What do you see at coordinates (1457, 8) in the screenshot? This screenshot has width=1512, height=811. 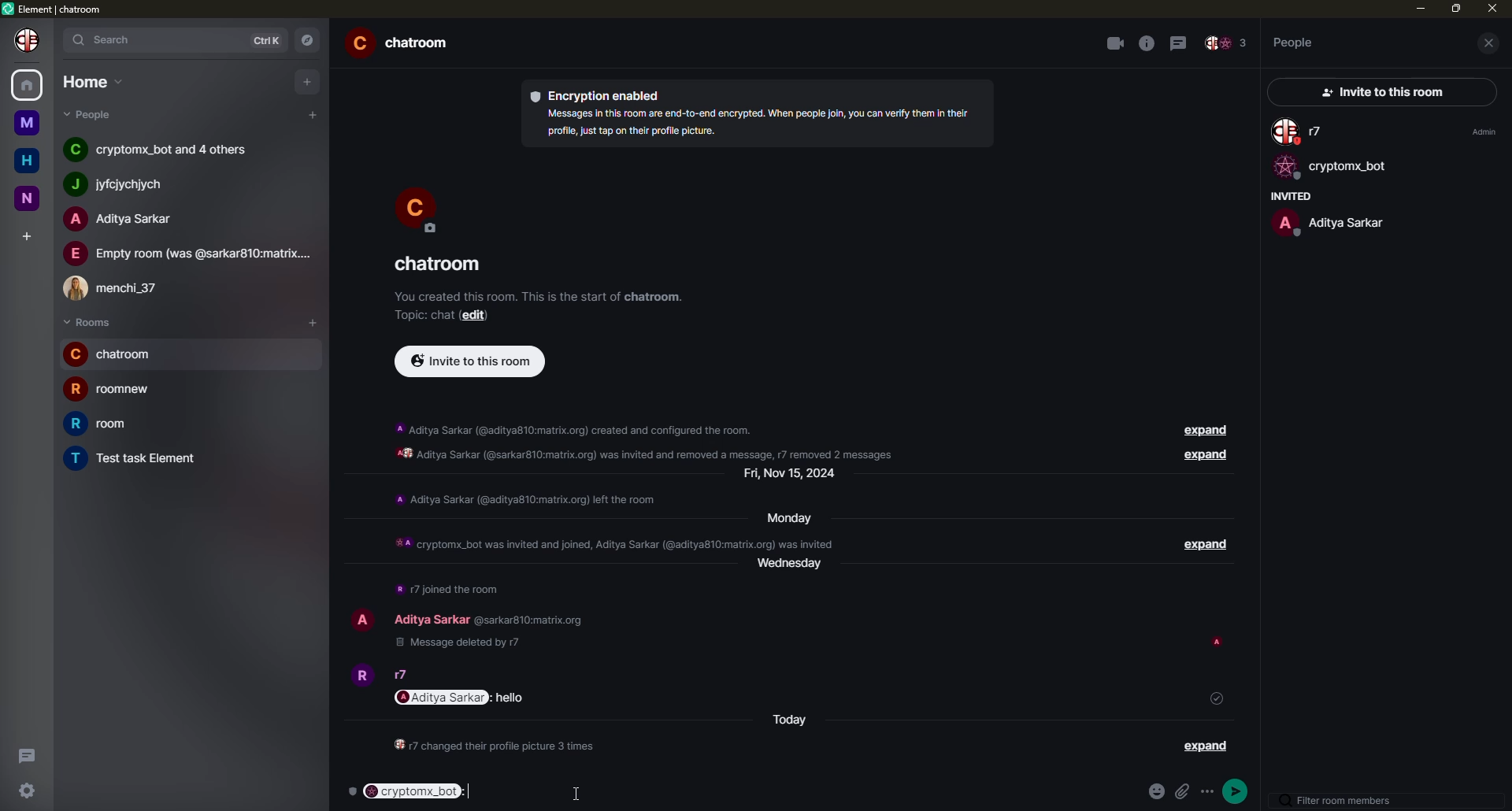 I see `max` at bounding box center [1457, 8].